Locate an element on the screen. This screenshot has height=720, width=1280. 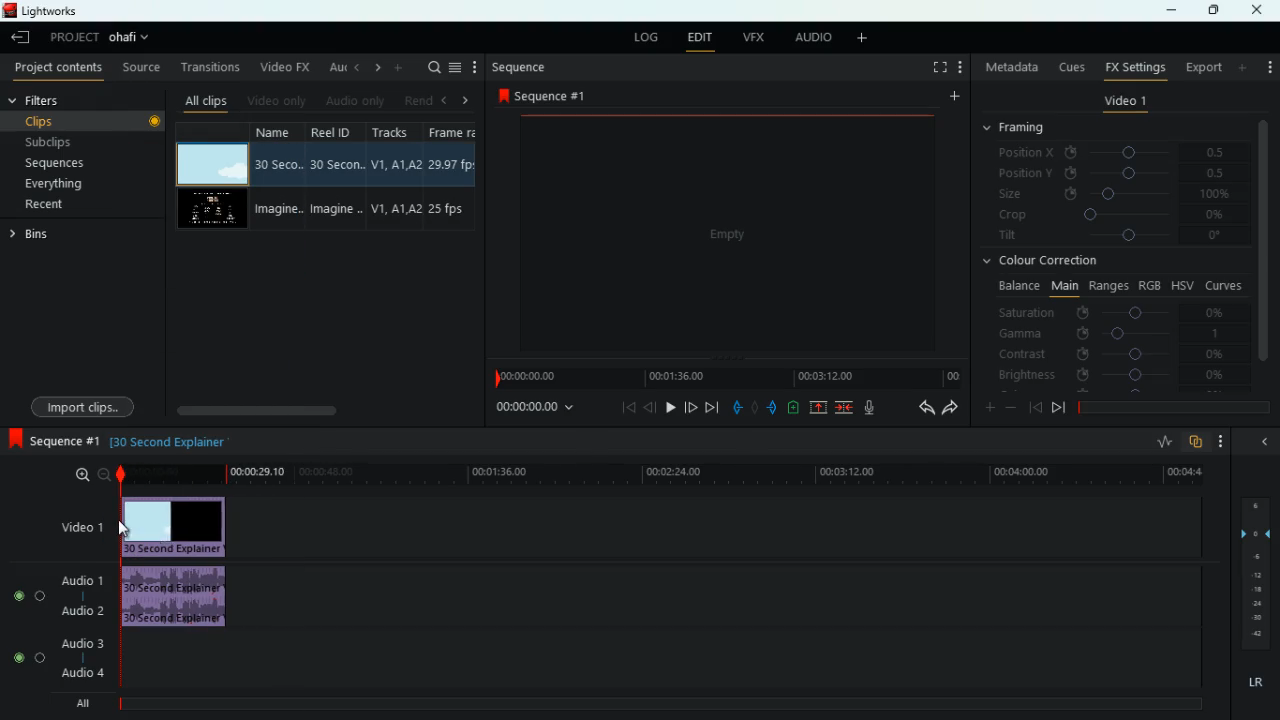
more is located at coordinates (1222, 442).